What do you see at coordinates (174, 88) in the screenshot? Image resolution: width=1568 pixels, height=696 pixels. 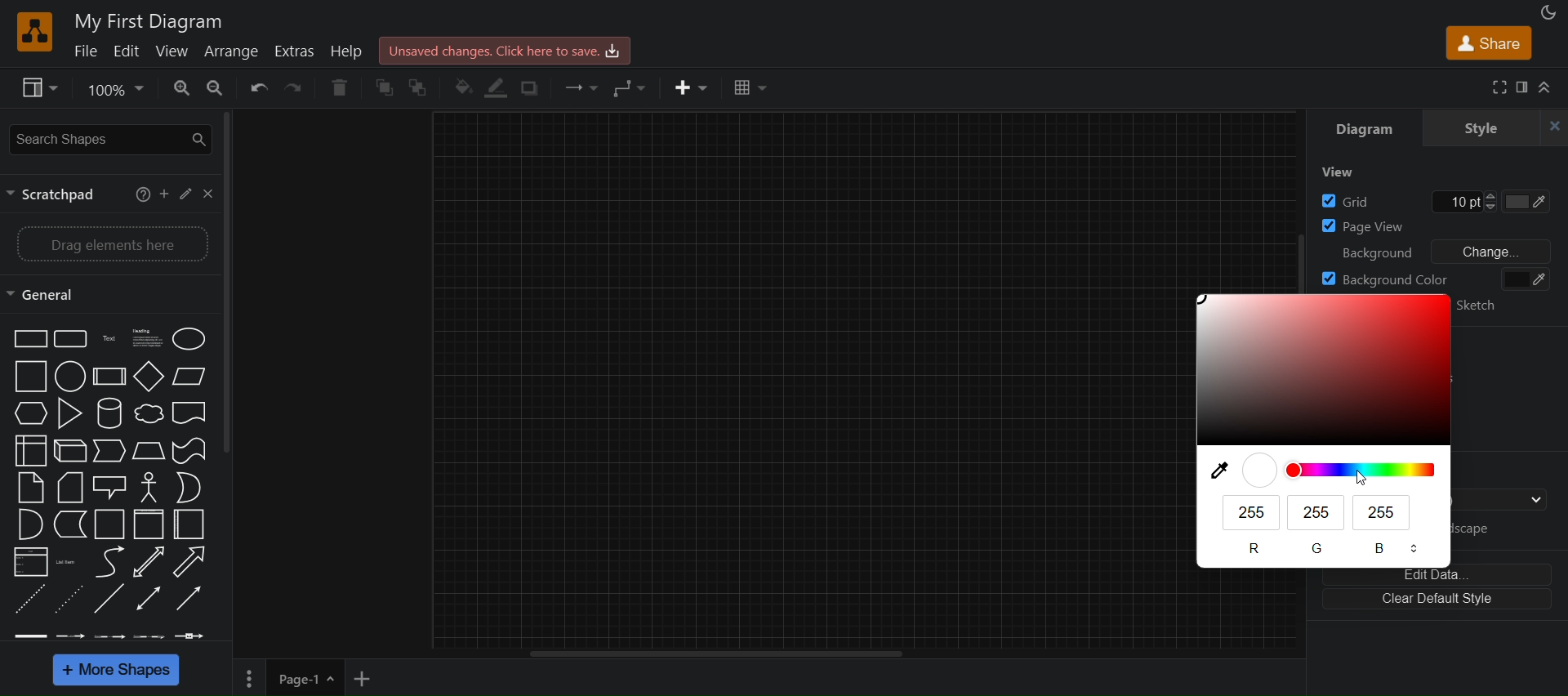 I see `zoom in` at bounding box center [174, 88].